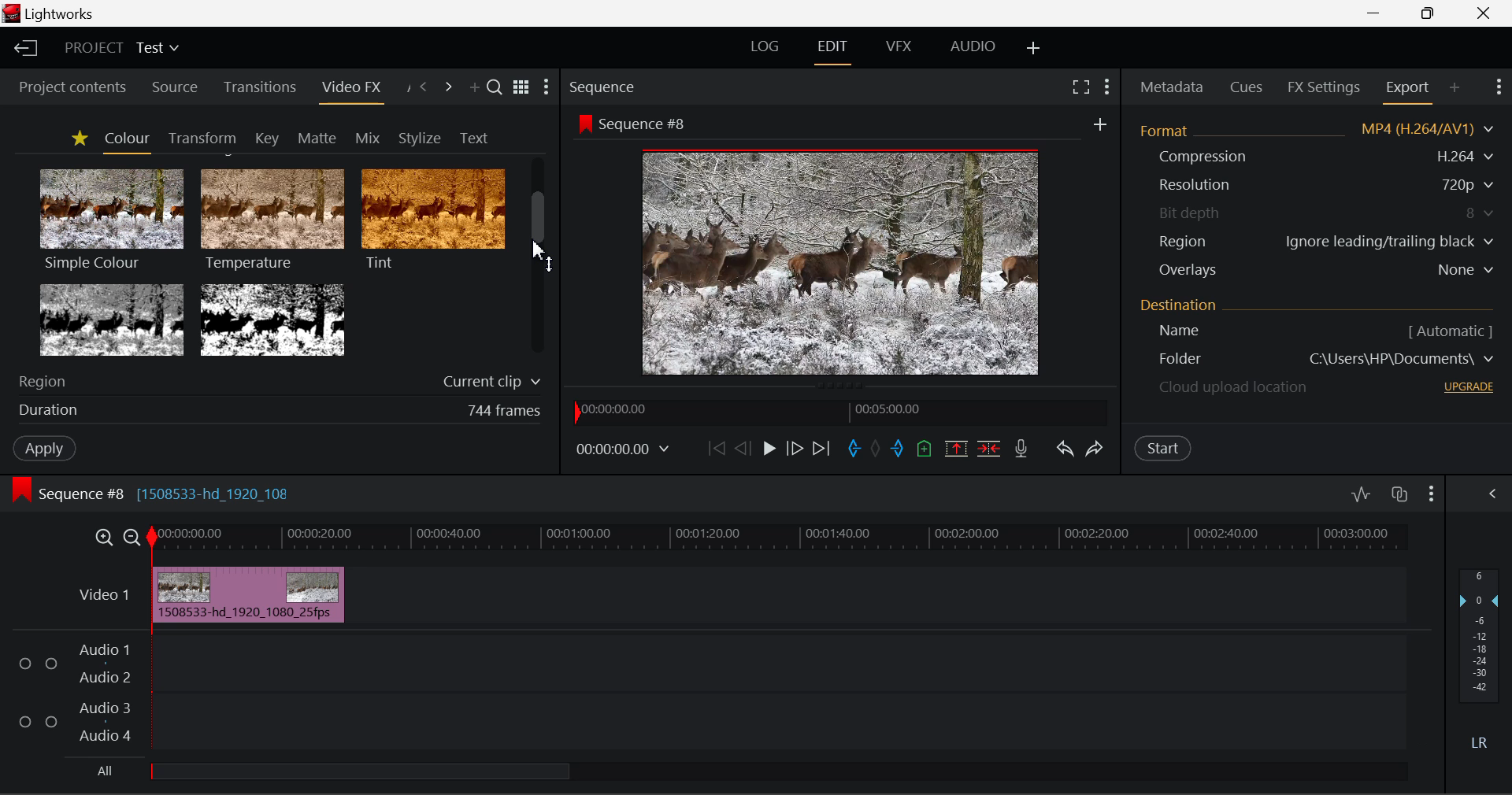 The width and height of the screenshot is (1512, 795). Describe the element at coordinates (891, 409) in the screenshot. I see `00:05:00.00` at that location.